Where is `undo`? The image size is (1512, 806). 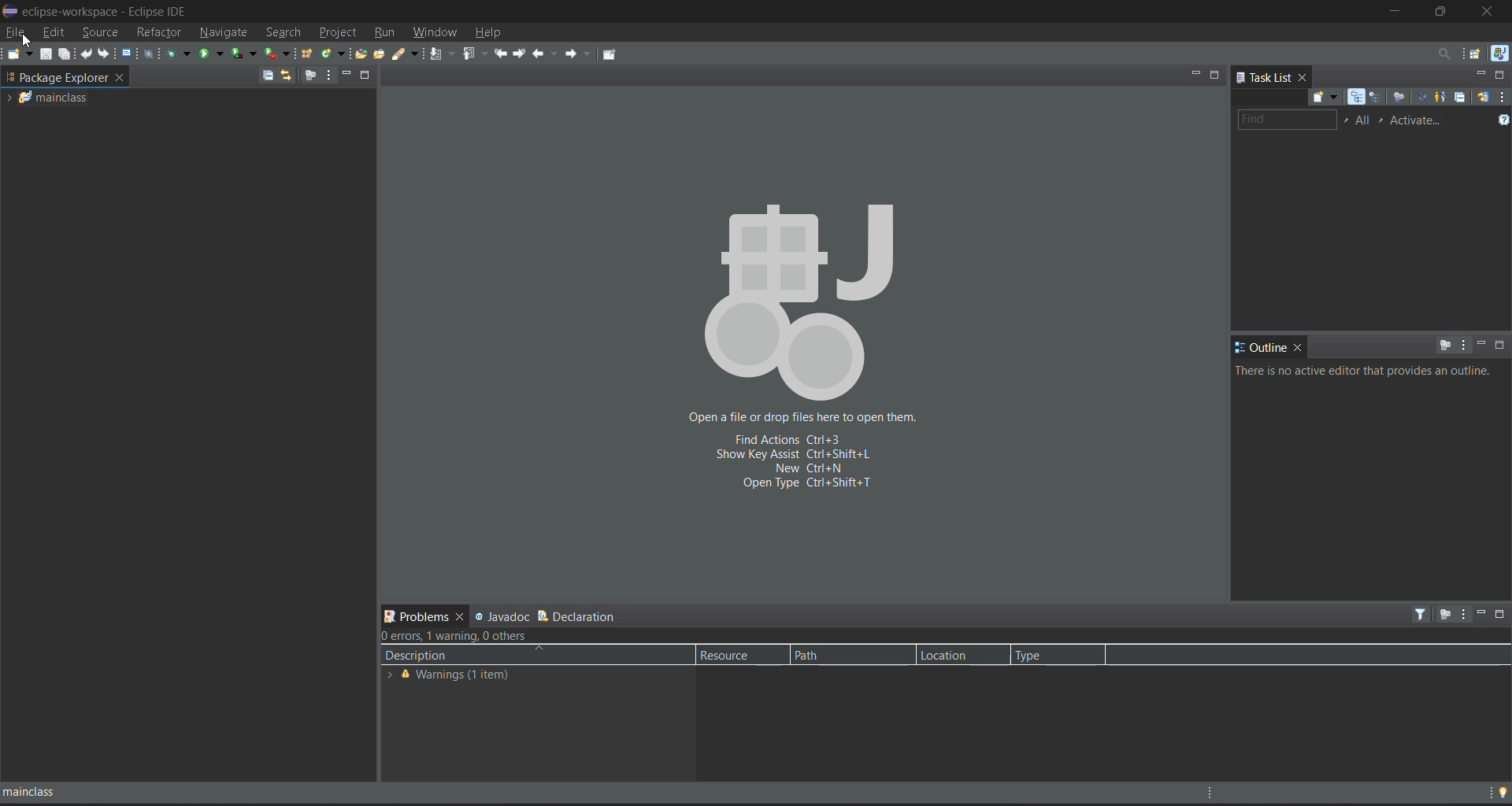 undo is located at coordinates (88, 53).